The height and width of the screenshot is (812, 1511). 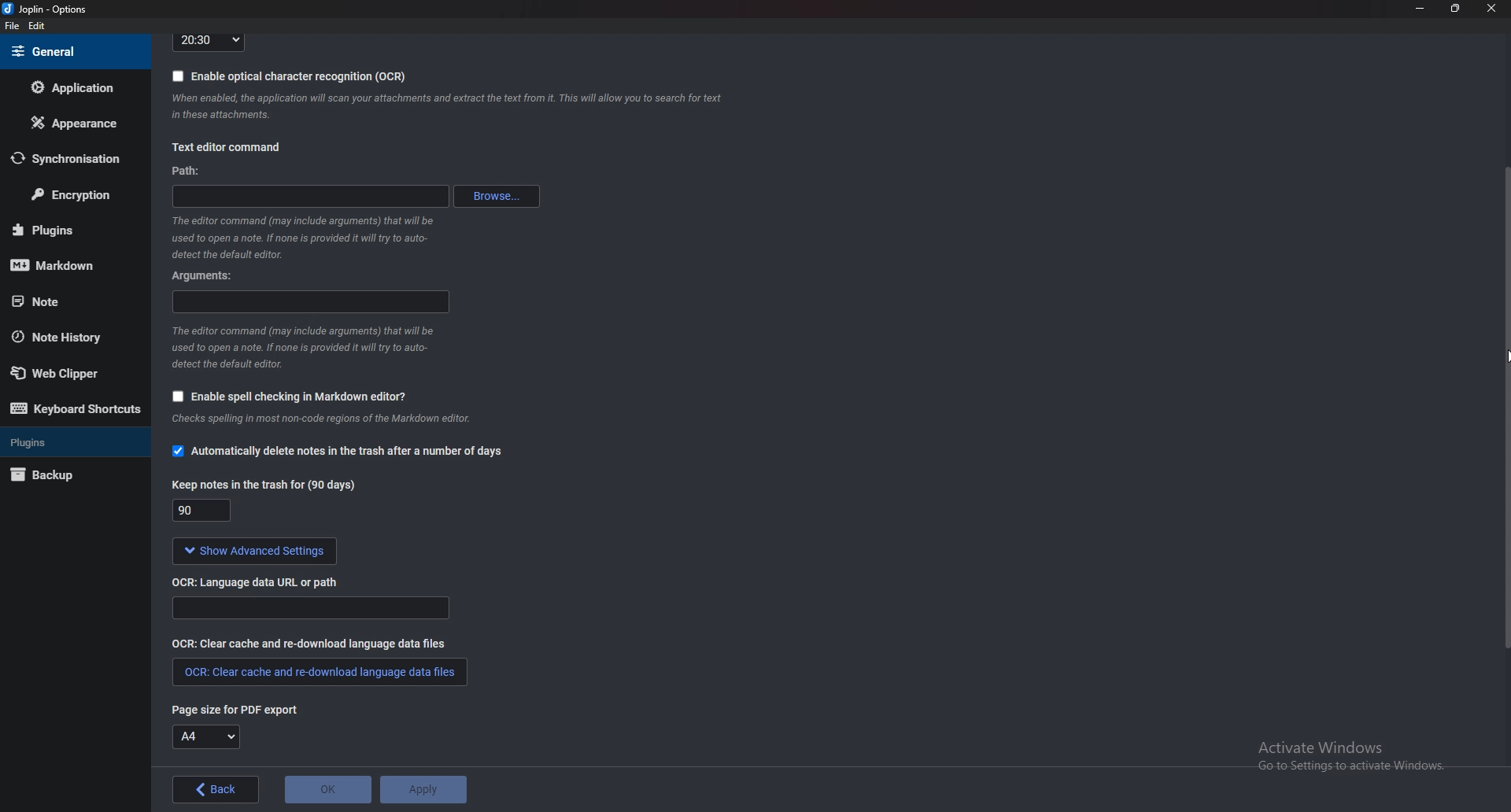 I want to click on back, so click(x=218, y=789).